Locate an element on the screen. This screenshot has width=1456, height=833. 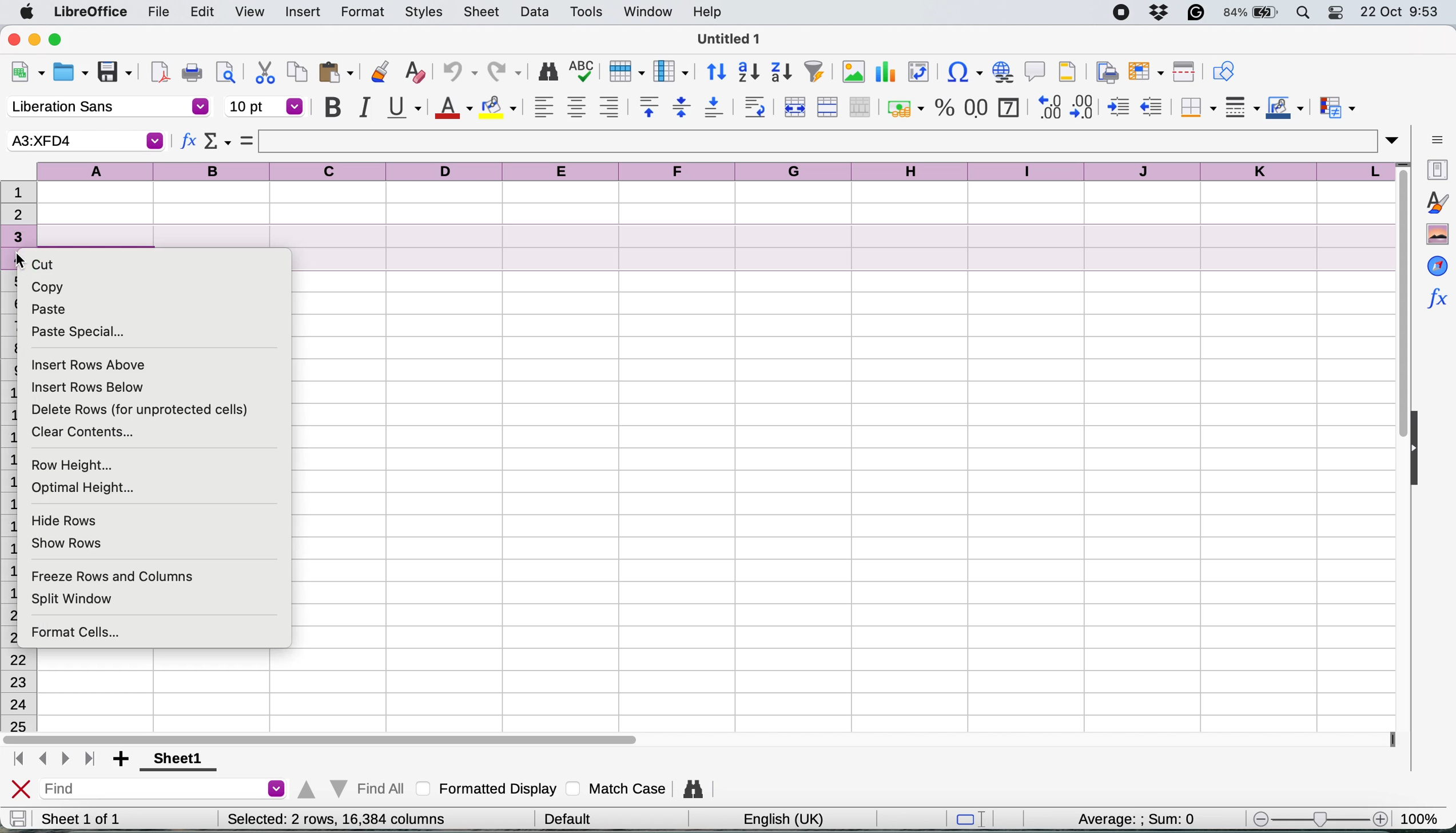
selected cell is located at coordinates (84, 141).